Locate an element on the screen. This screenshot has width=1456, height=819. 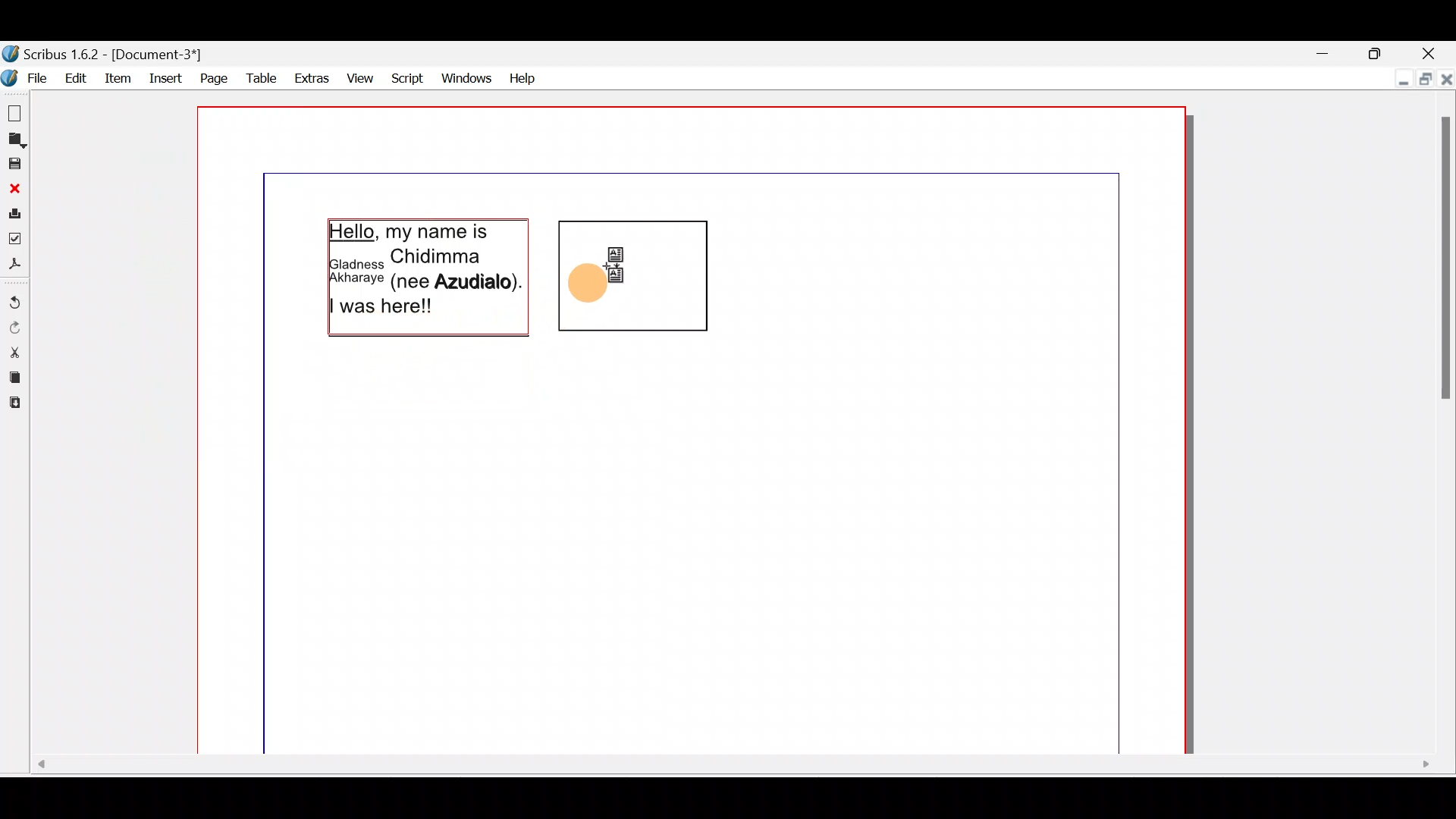
Undo is located at coordinates (15, 297).